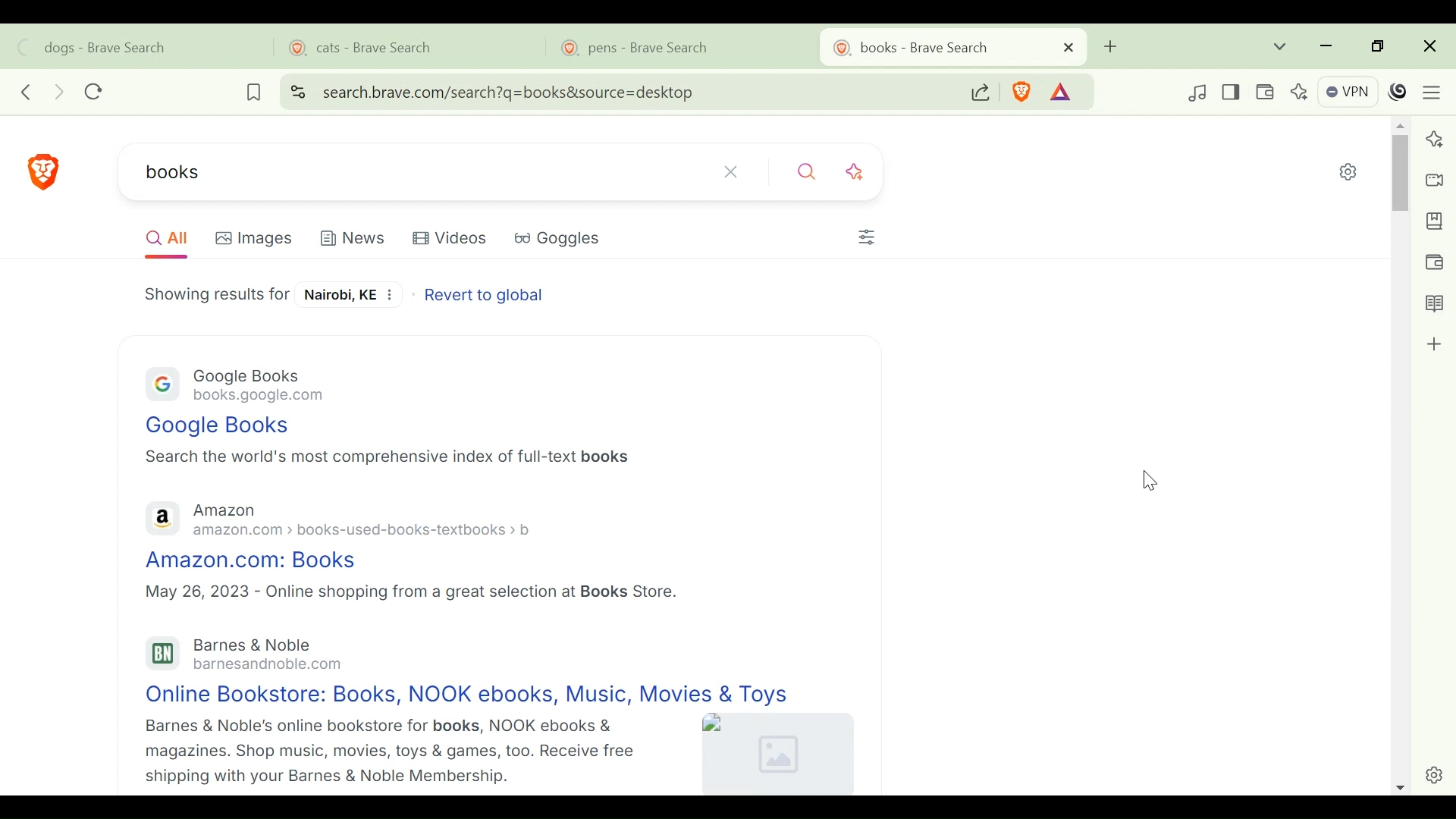 This screenshot has height=819, width=1456. What do you see at coordinates (1326, 45) in the screenshot?
I see `minimize` at bounding box center [1326, 45].